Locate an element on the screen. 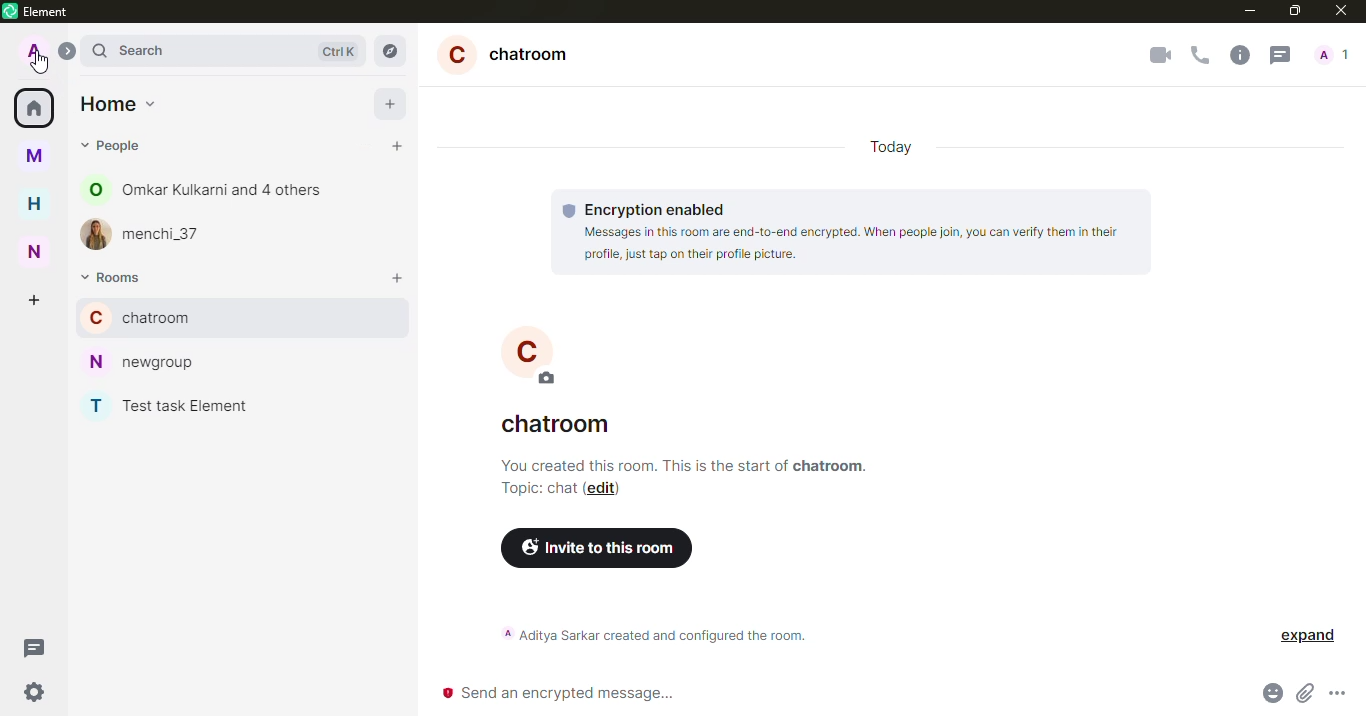 This screenshot has width=1366, height=716. threads is located at coordinates (34, 647).